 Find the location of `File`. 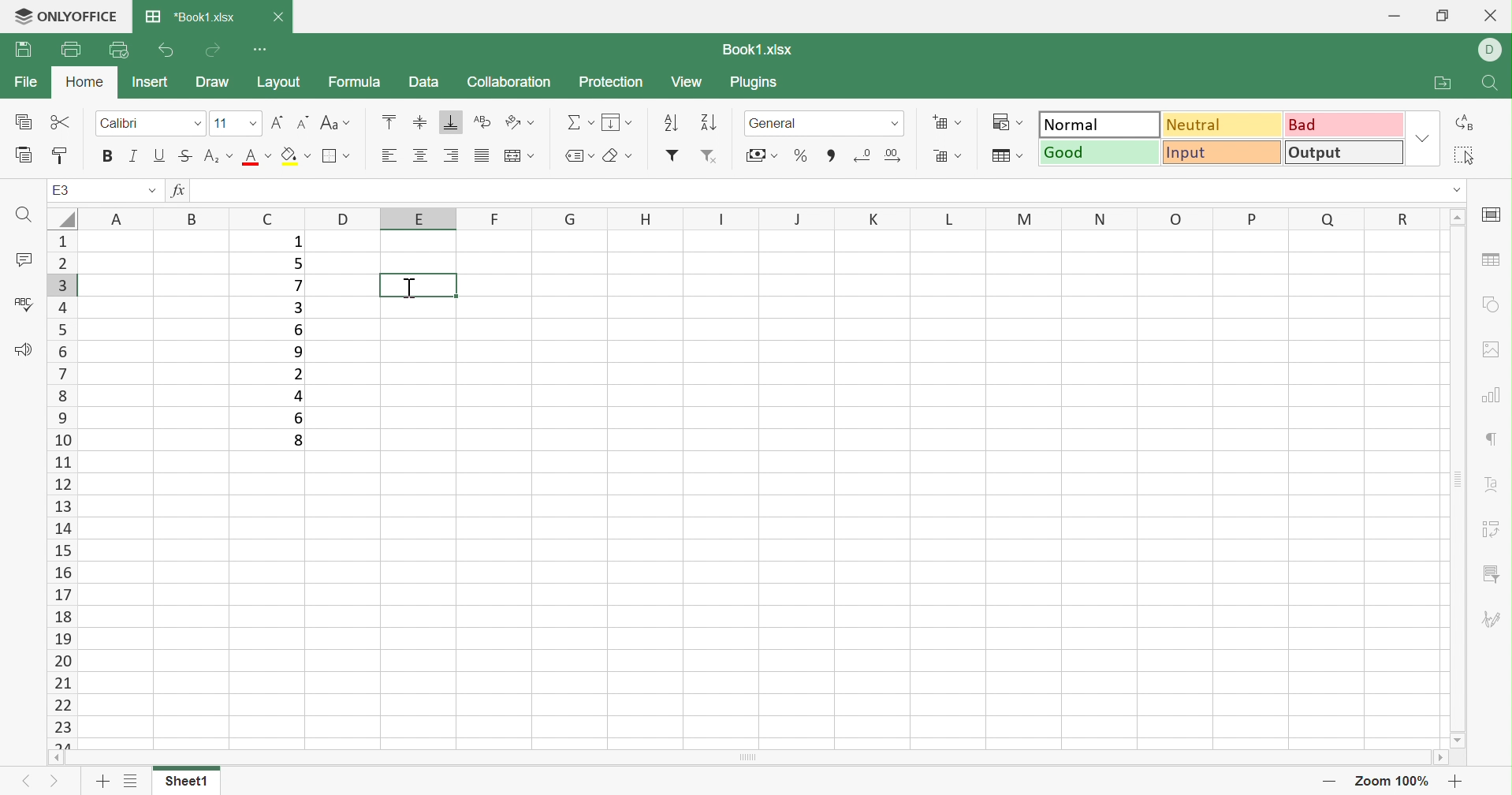

File is located at coordinates (27, 80).